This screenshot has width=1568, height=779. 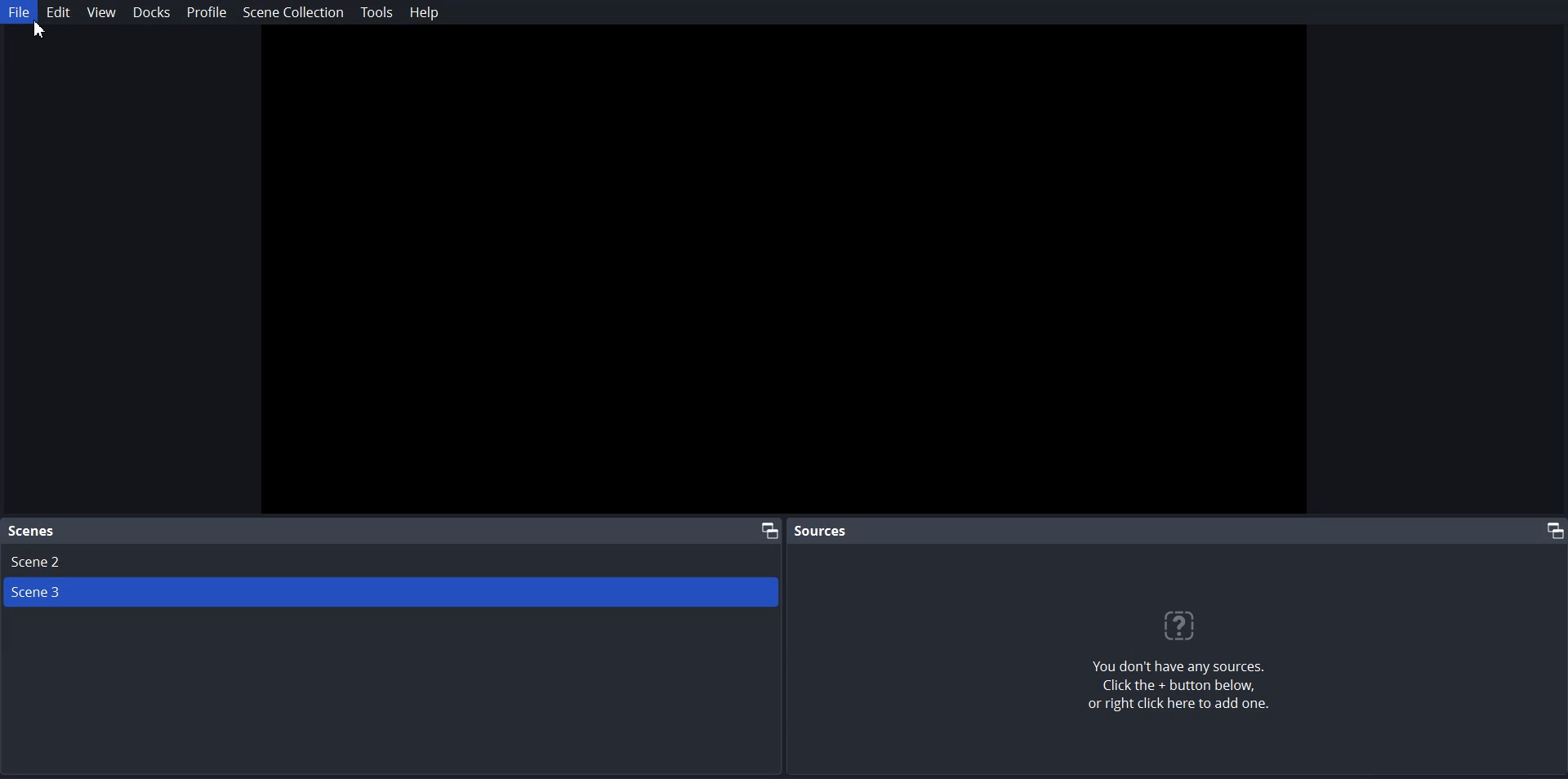 What do you see at coordinates (422, 11) in the screenshot?
I see `Help` at bounding box center [422, 11].